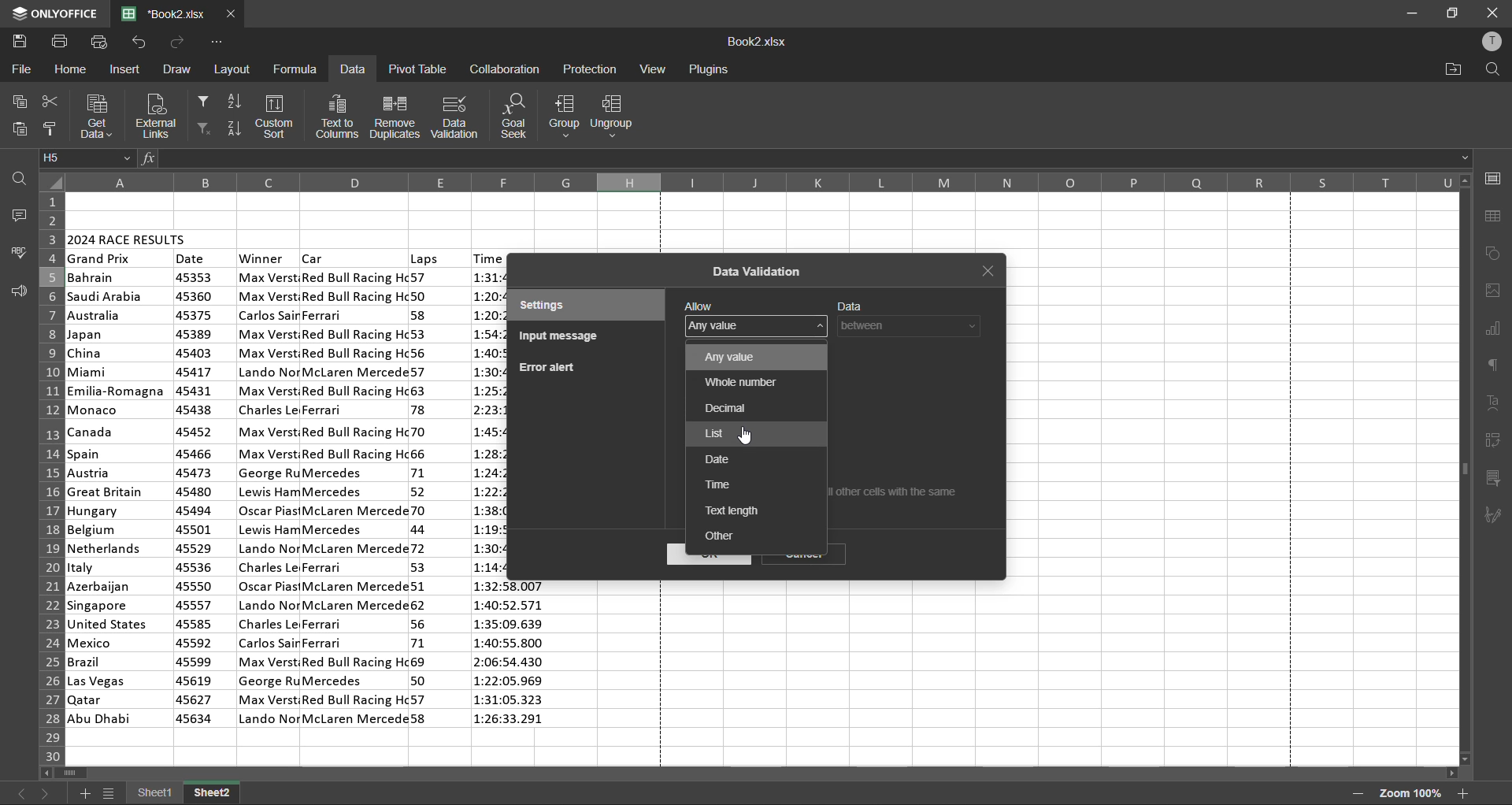  Describe the element at coordinates (1454, 69) in the screenshot. I see `open location` at that location.